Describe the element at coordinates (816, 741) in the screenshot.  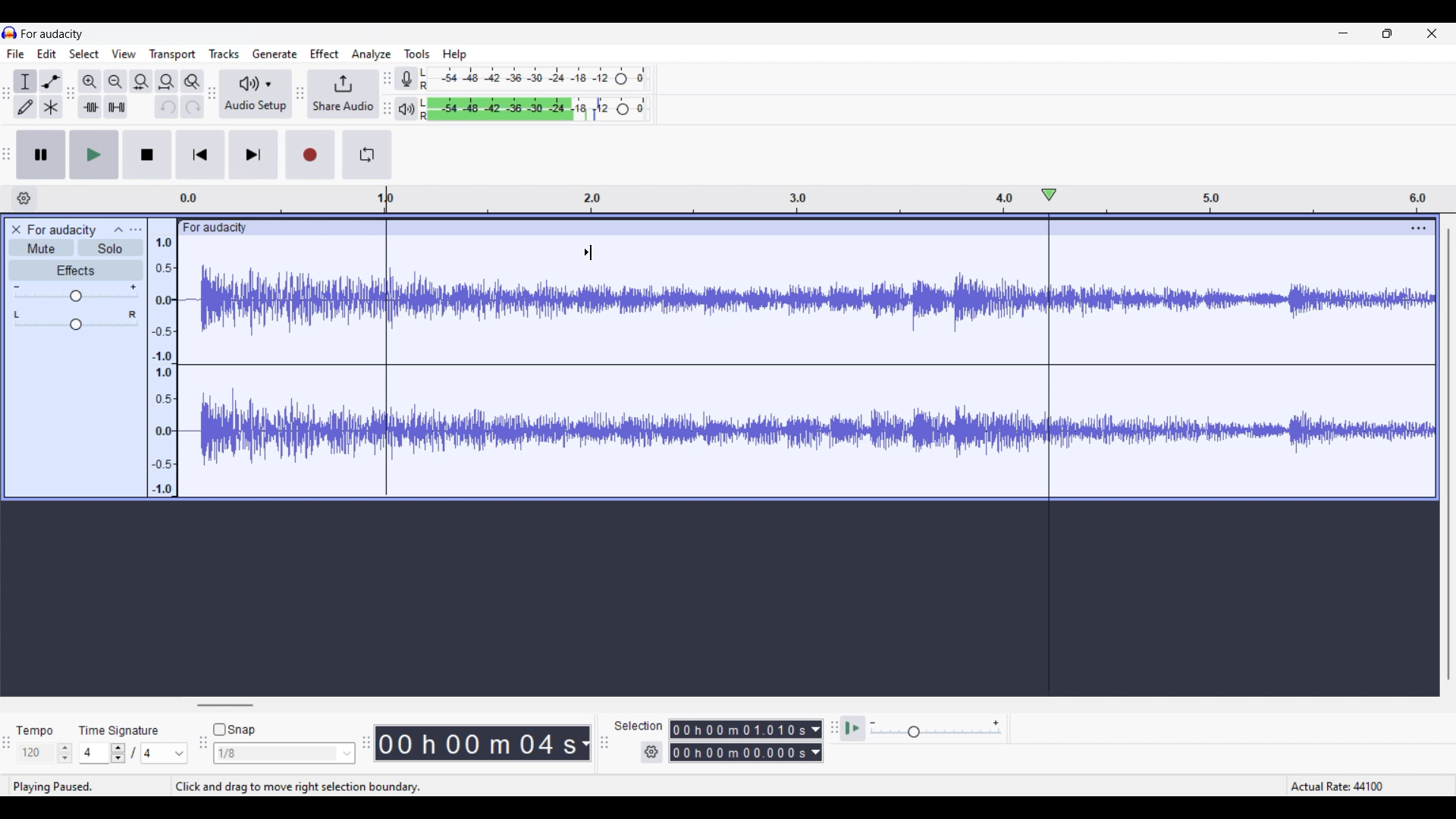
I see `Duration measurement options` at that location.